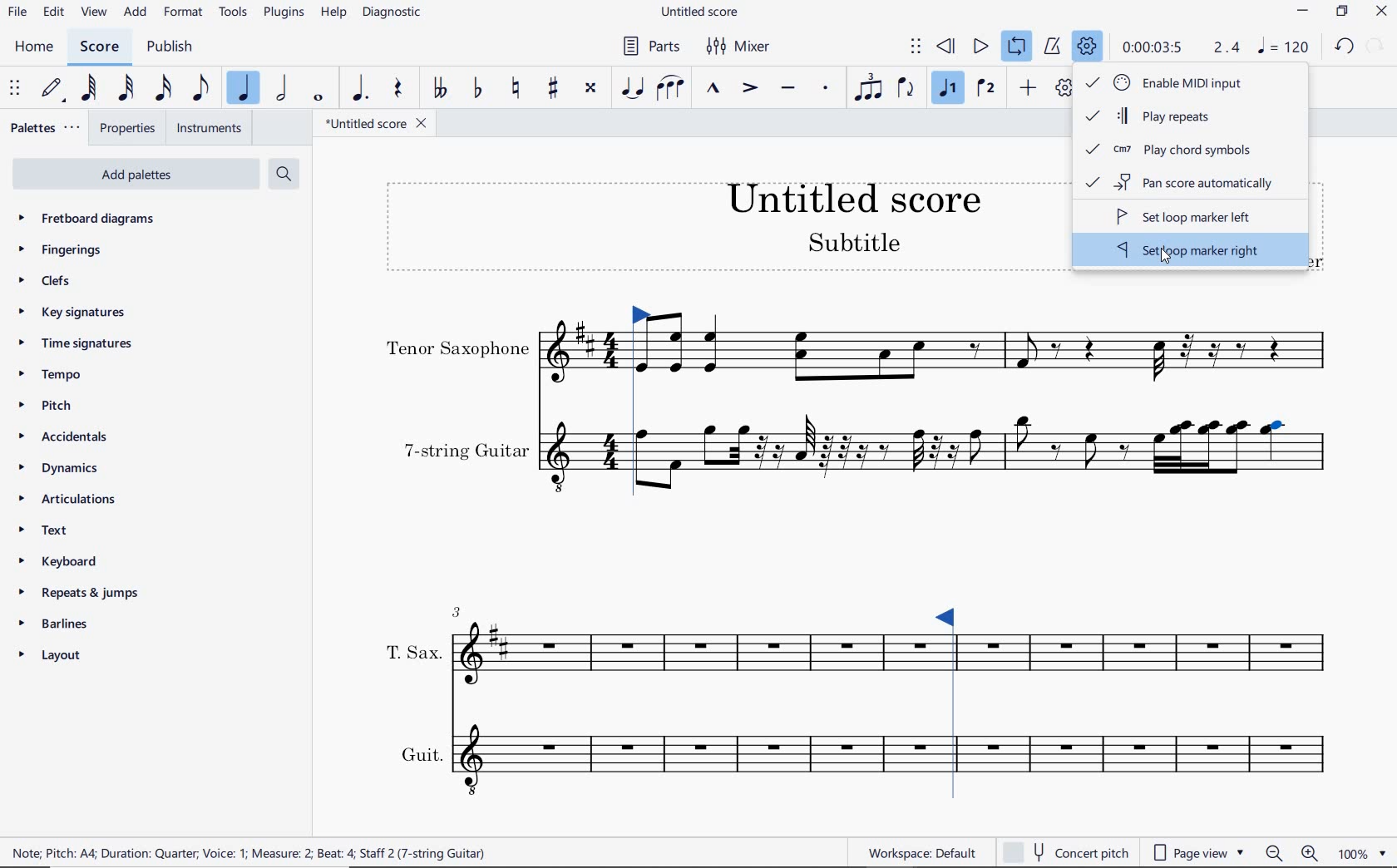 This screenshot has width=1397, height=868. Describe the element at coordinates (39, 529) in the screenshot. I see `TEXT` at that location.